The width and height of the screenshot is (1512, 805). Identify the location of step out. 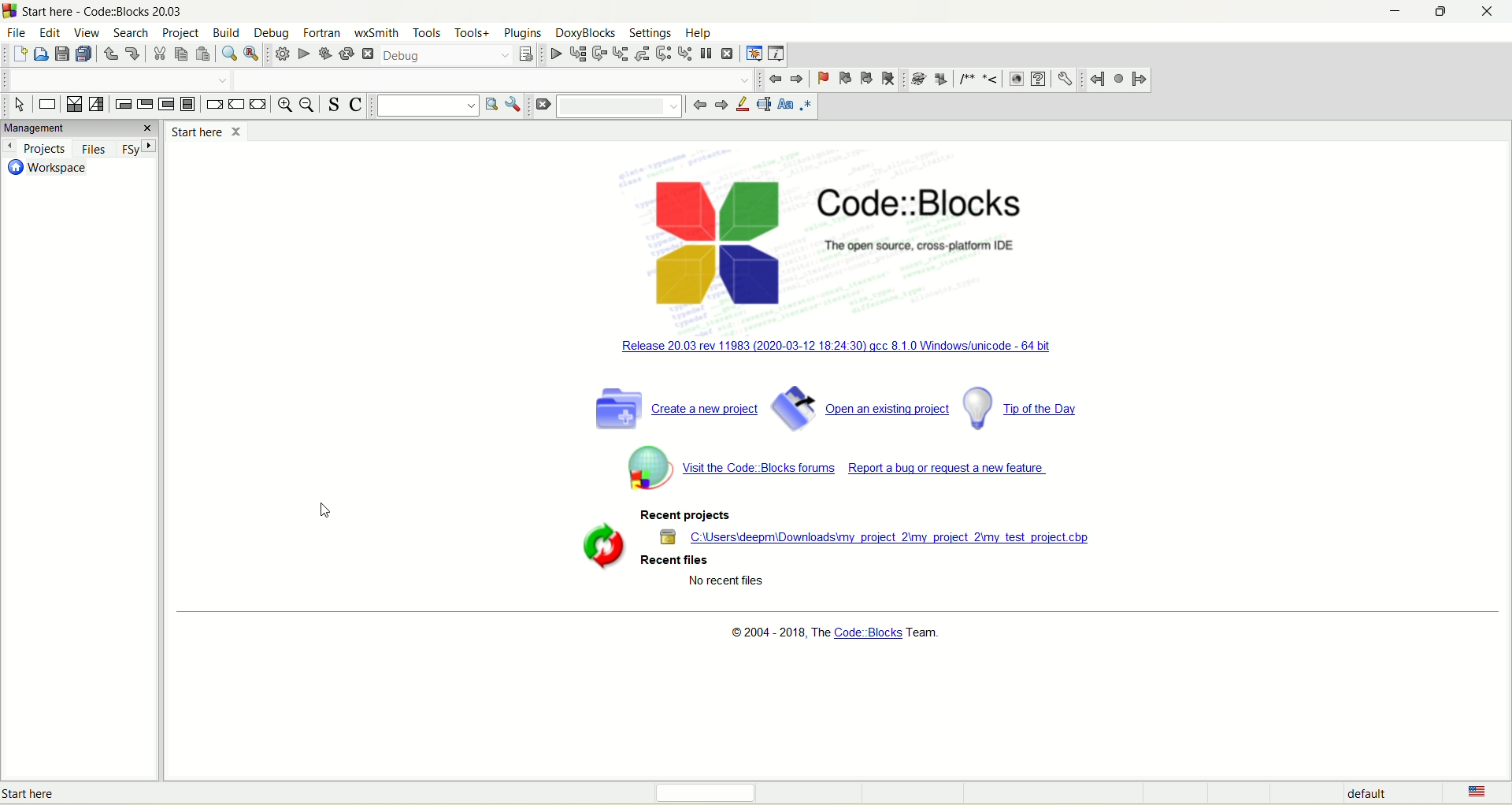
(643, 54).